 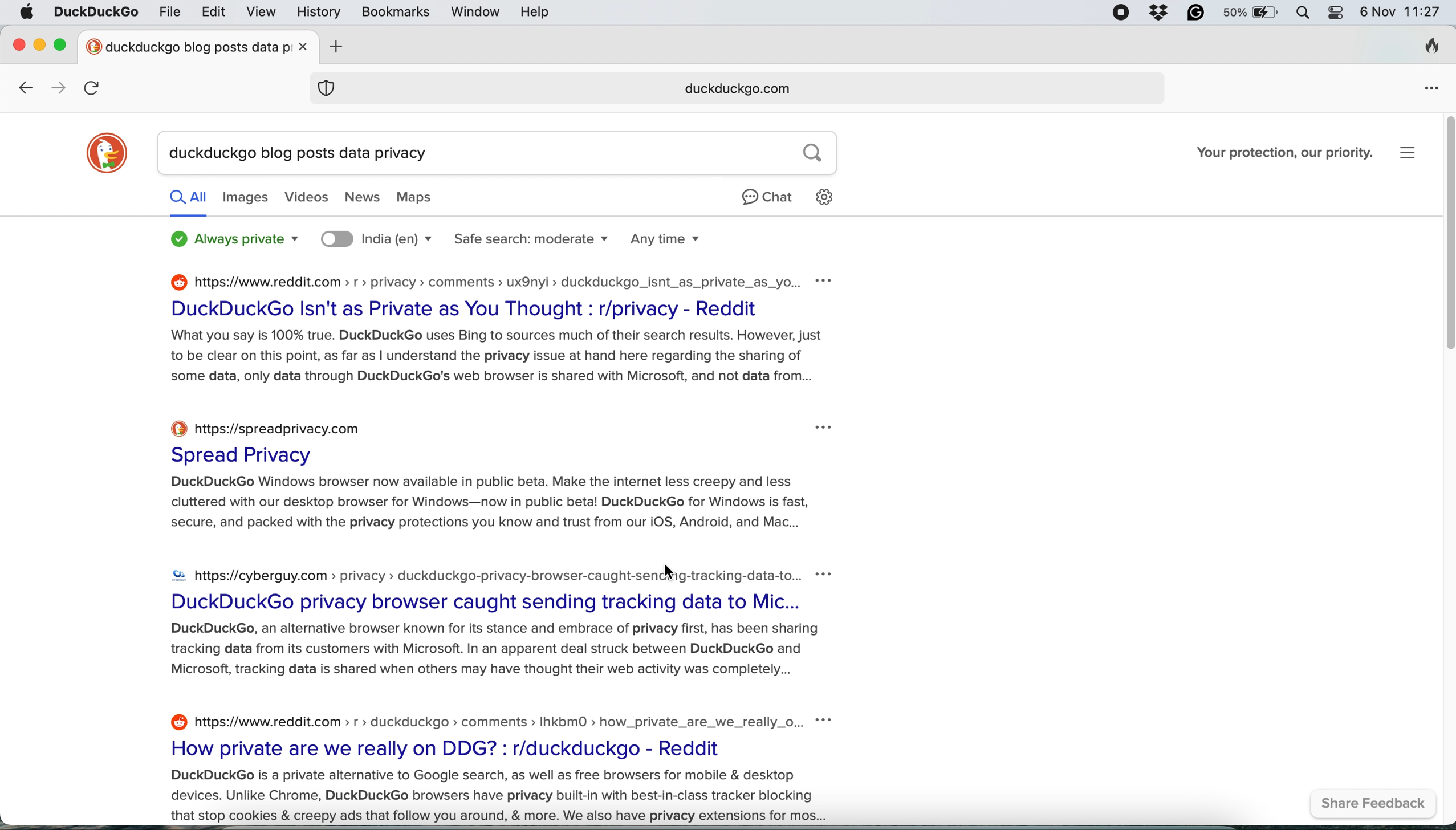 What do you see at coordinates (111, 149) in the screenshot?
I see `duckduckgo logo` at bounding box center [111, 149].